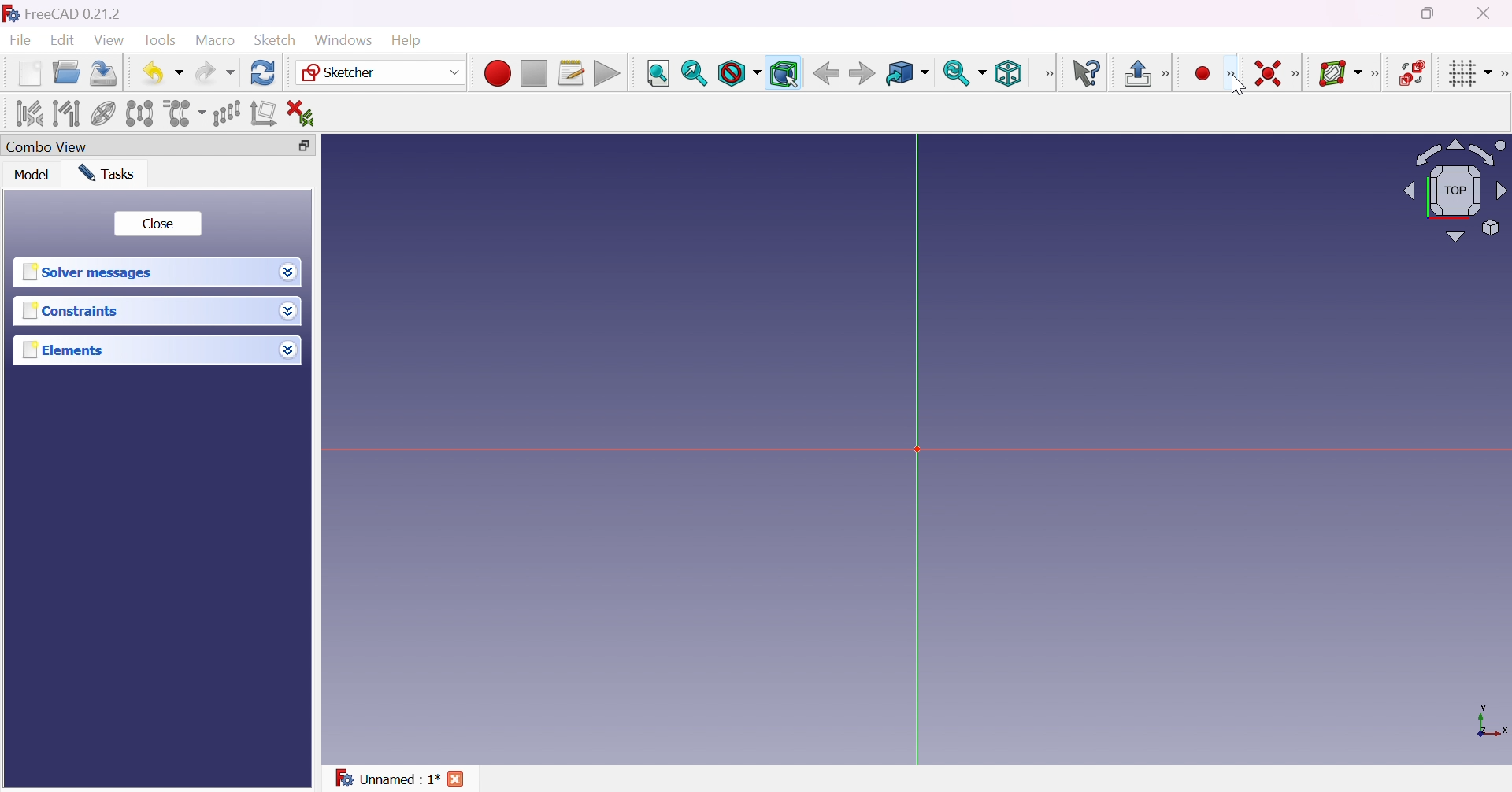 Image resolution: width=1512 pixels, height=792 pixels. Describe the element at coordinates (65, 40) in the screenshot. I see `Edit` at that location.